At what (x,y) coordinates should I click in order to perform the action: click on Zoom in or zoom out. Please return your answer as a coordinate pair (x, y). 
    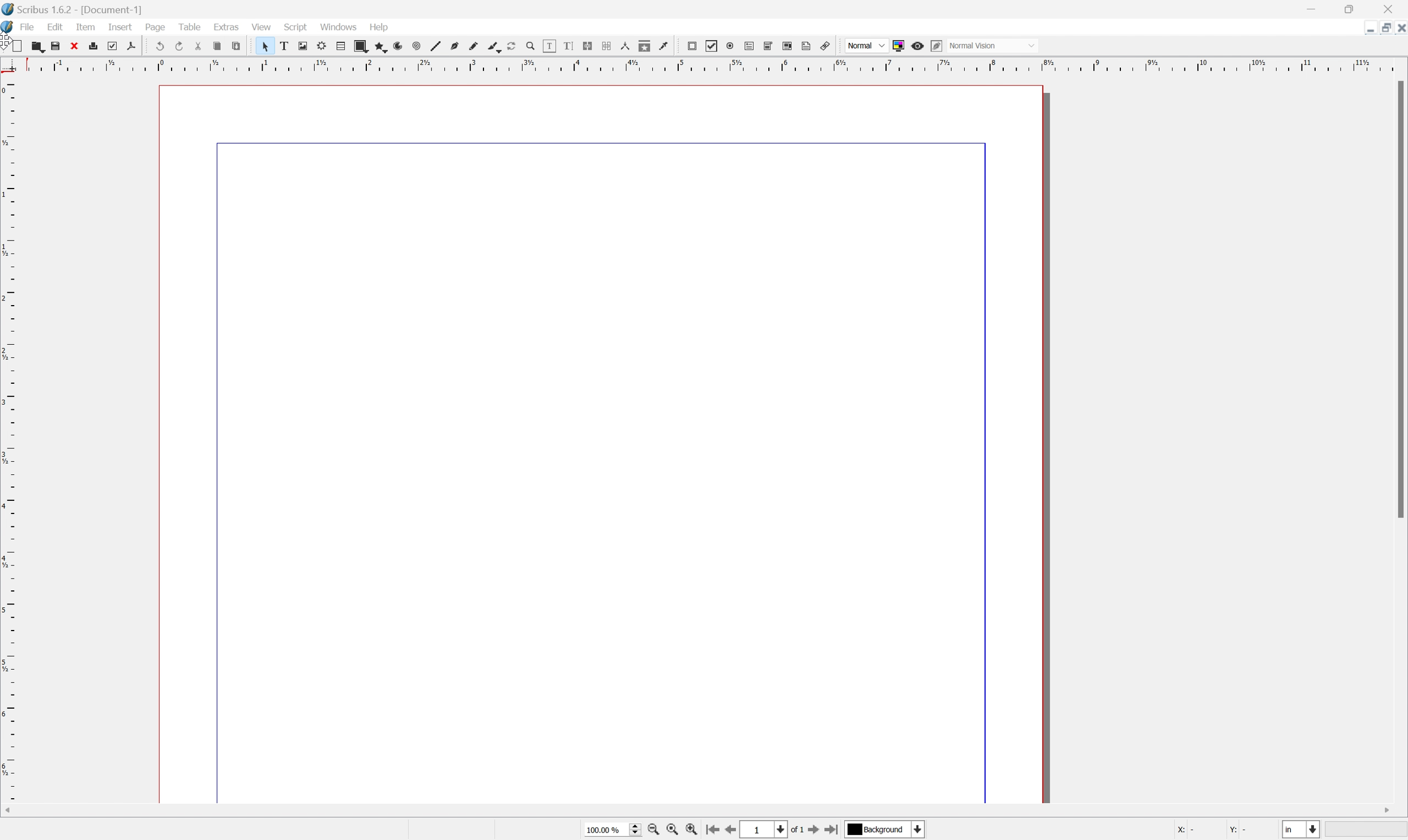
    Looking at the image, I should click on (528, 46).